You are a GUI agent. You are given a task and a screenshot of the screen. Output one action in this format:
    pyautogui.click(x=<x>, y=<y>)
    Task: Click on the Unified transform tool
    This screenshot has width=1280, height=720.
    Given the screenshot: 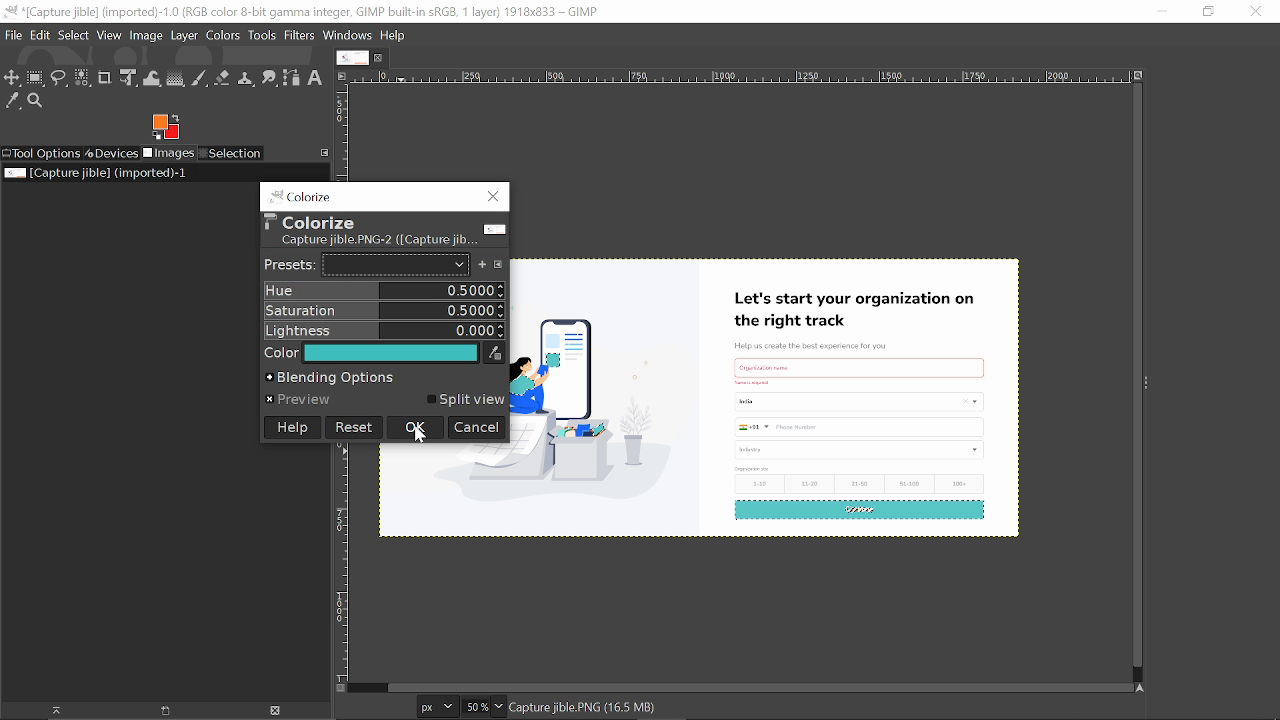 What is the action you would take?
    pyautogui.click(x=128, y=78)
    